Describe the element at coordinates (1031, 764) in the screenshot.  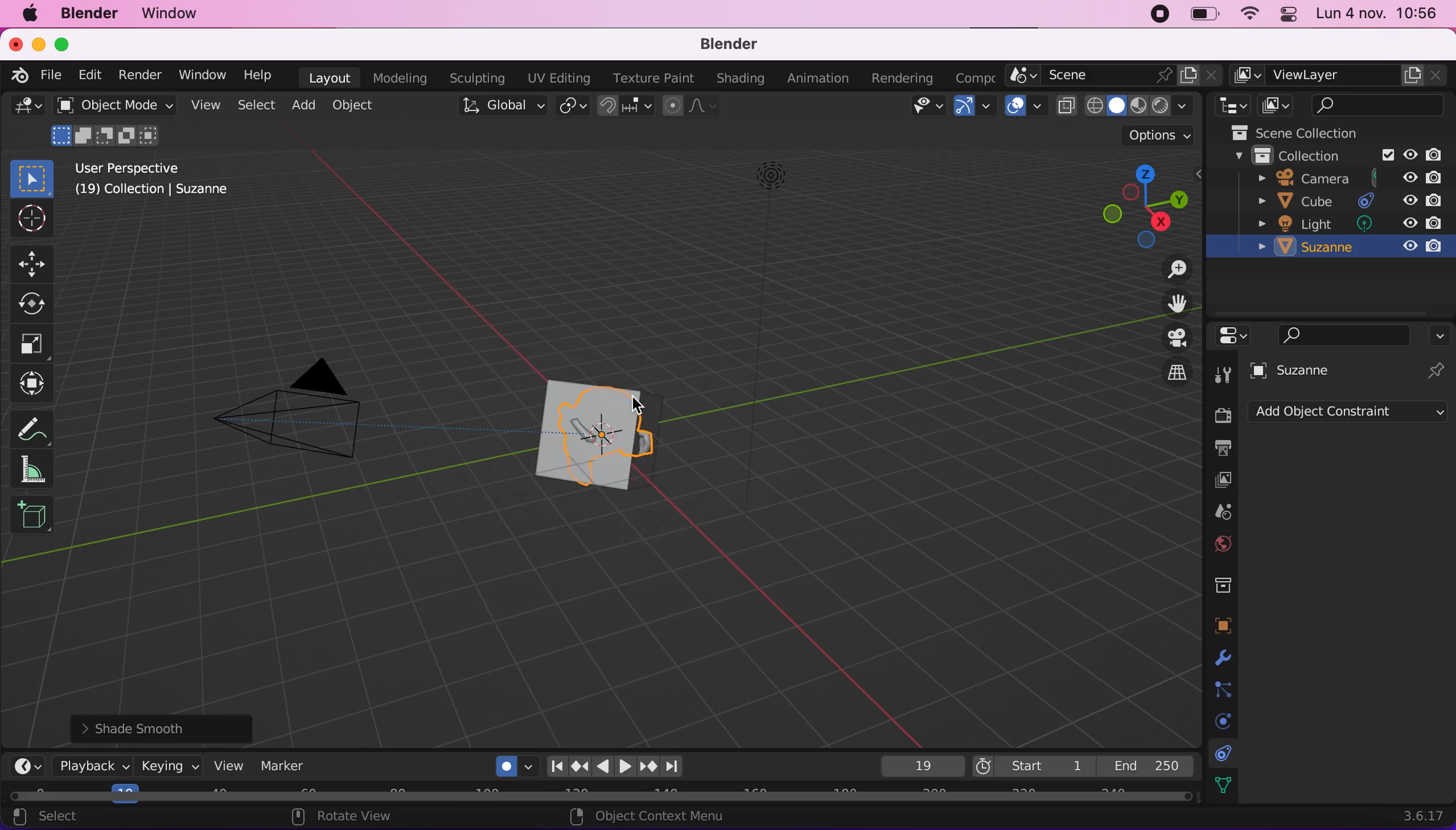
I see `first frame` at that location.